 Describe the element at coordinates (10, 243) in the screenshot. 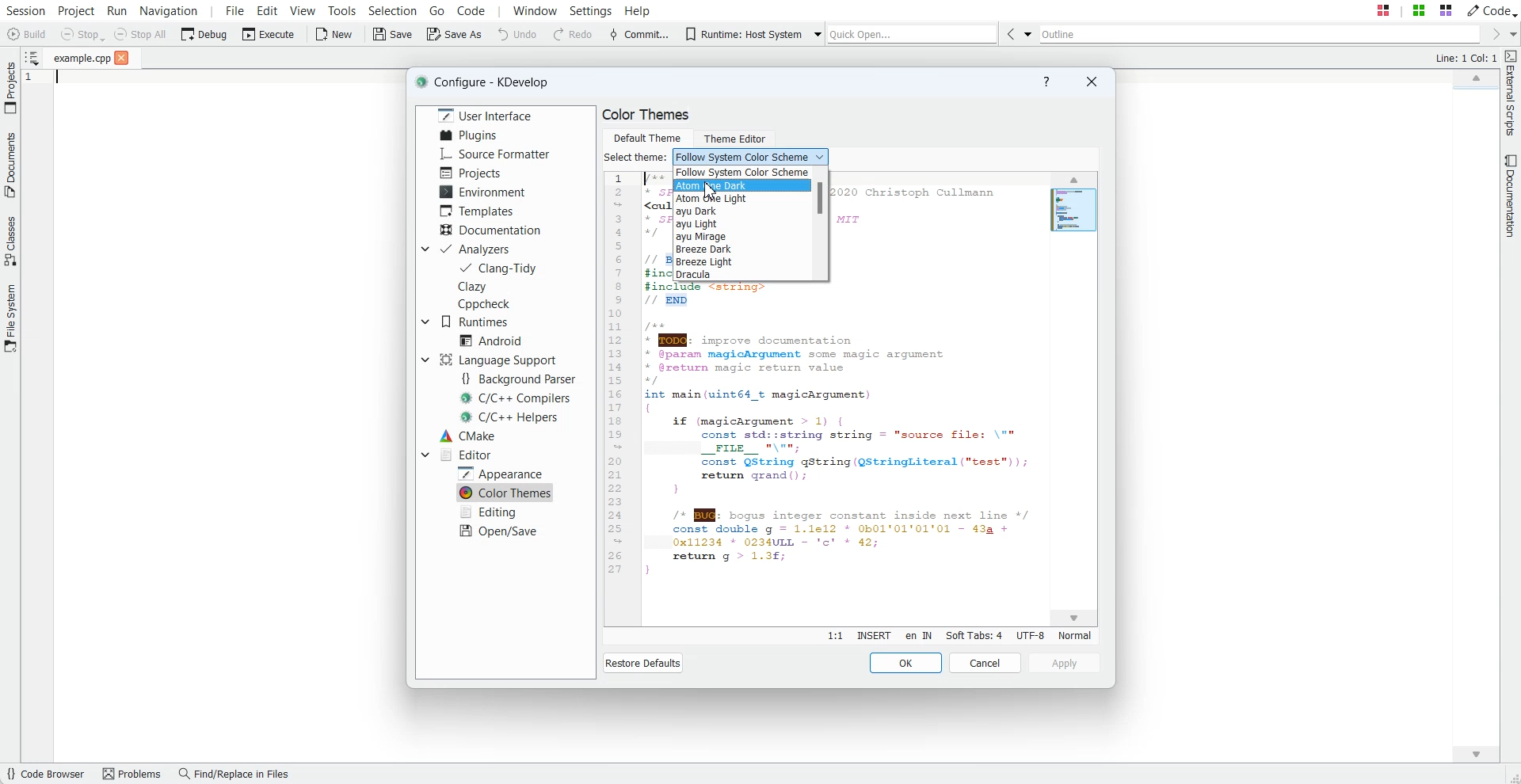

I see `Classes` at that location.